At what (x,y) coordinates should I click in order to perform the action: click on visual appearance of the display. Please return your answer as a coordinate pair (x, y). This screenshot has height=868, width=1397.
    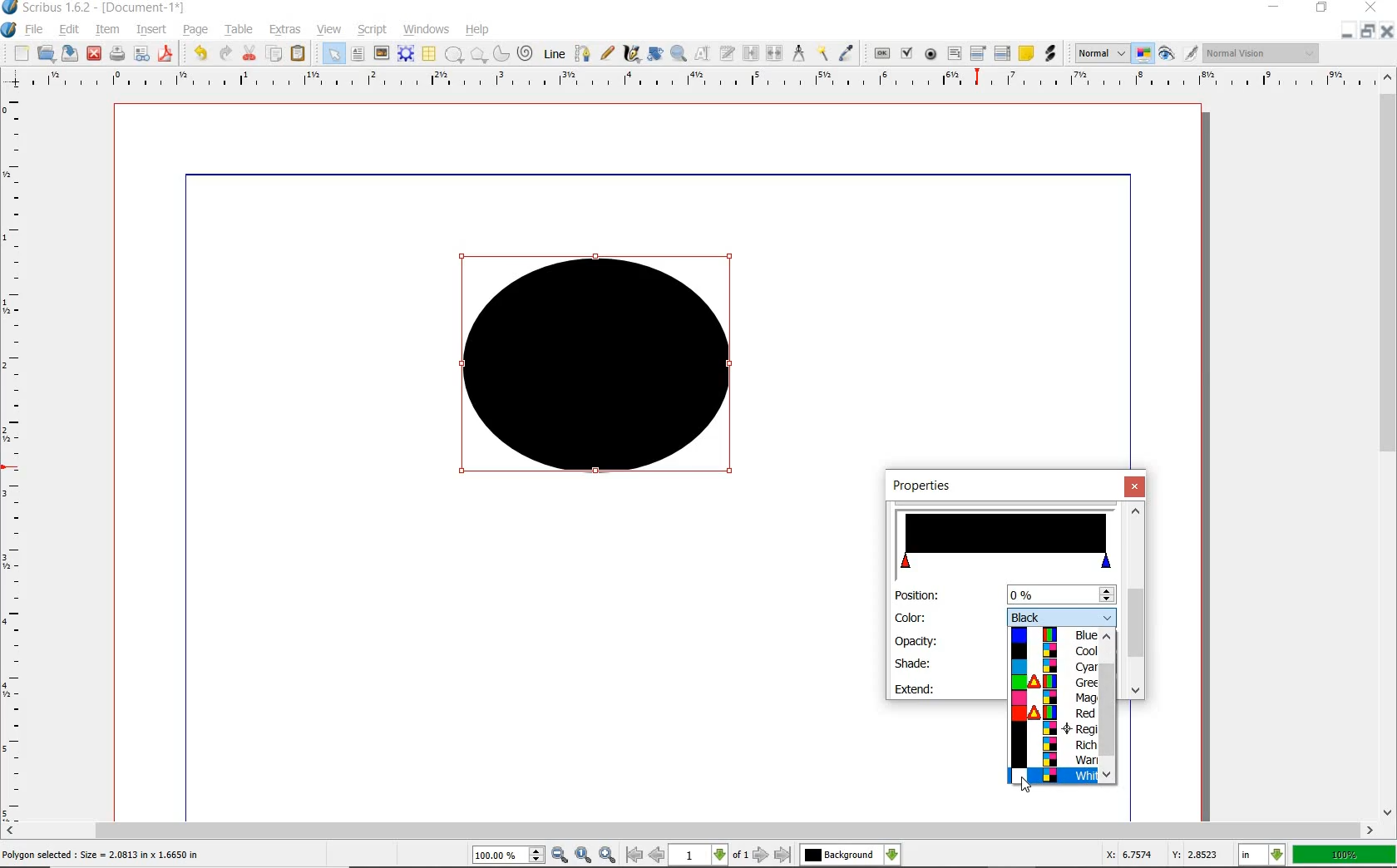
    Looking at the image, I should click on (1261, 54).